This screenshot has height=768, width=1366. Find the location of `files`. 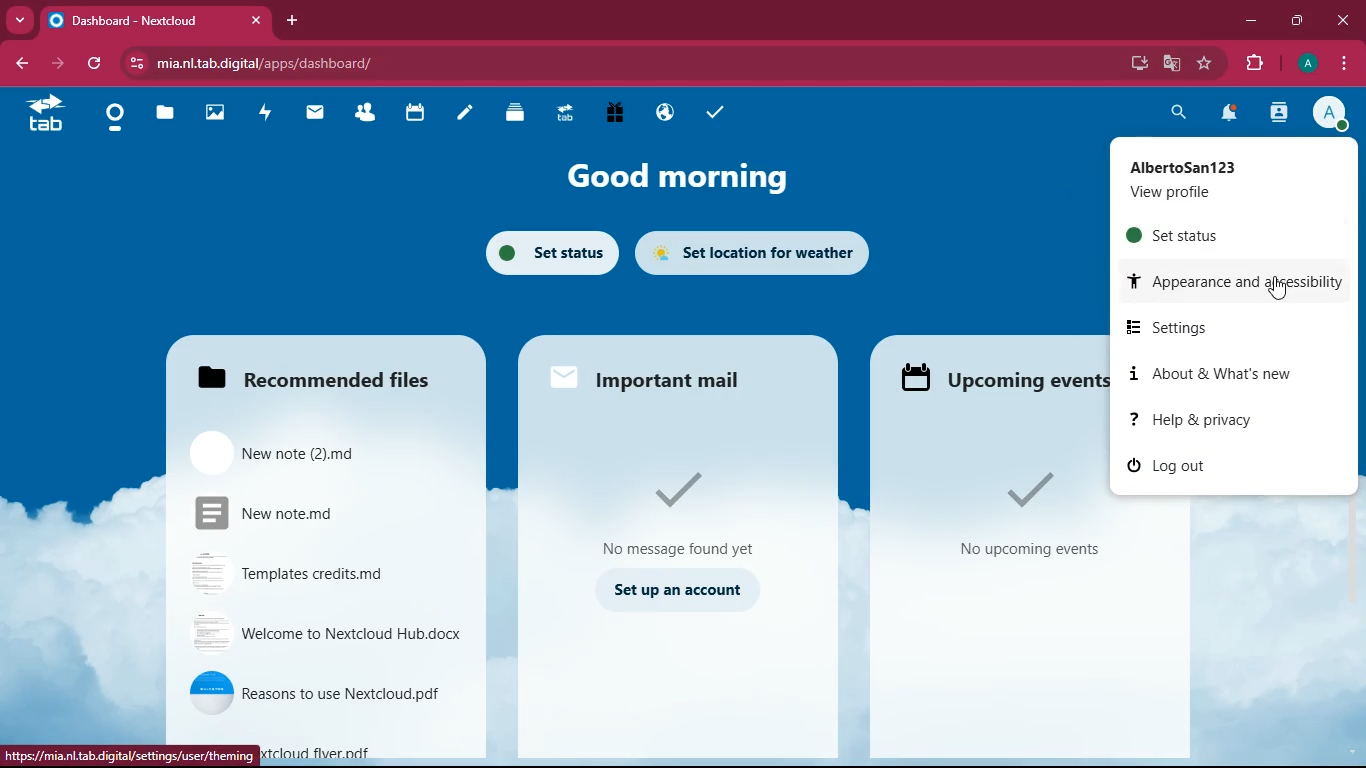

files is located at coordinates (318, 372).